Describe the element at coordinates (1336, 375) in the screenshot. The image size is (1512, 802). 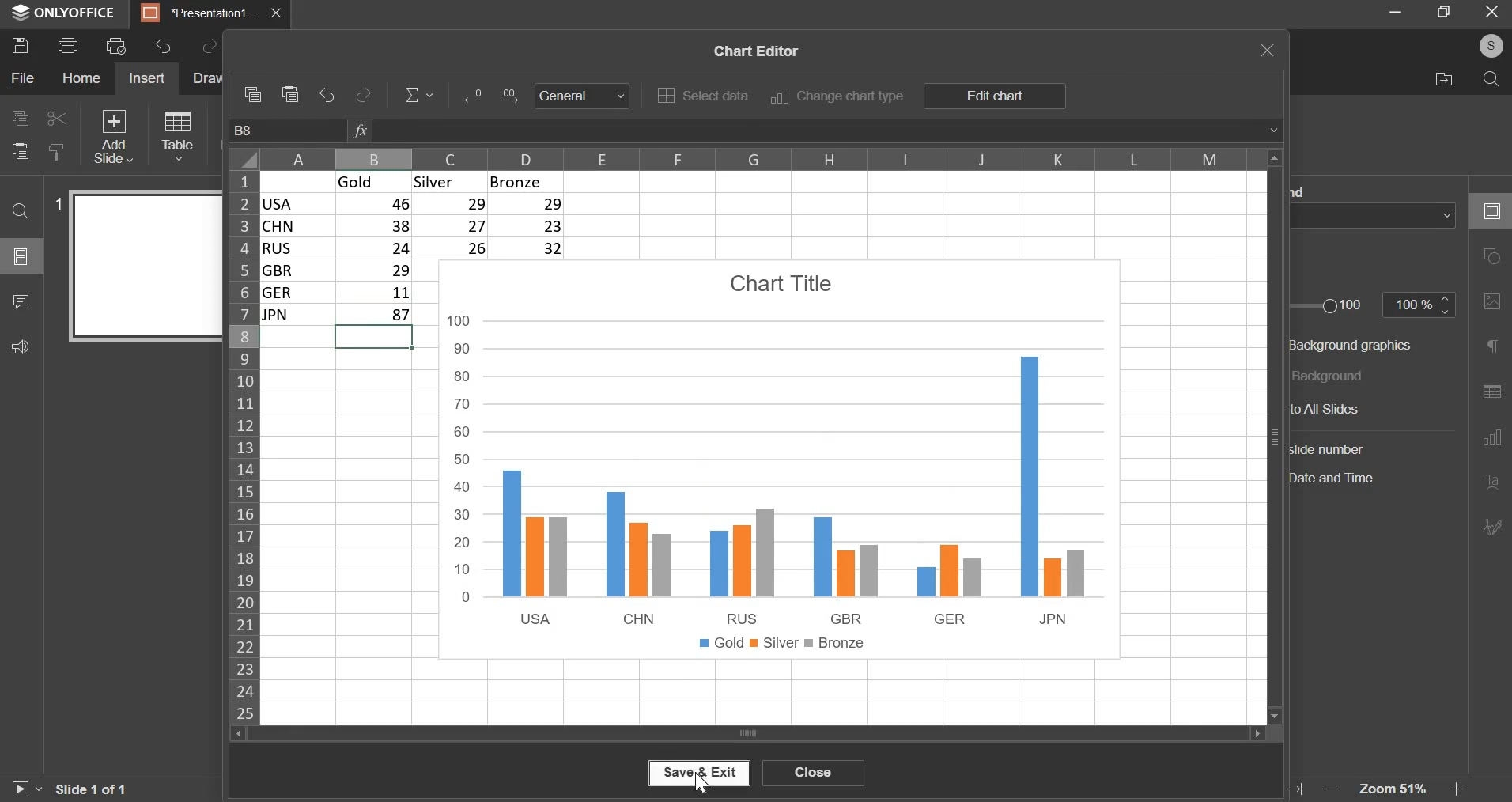
I see `background` at that location.